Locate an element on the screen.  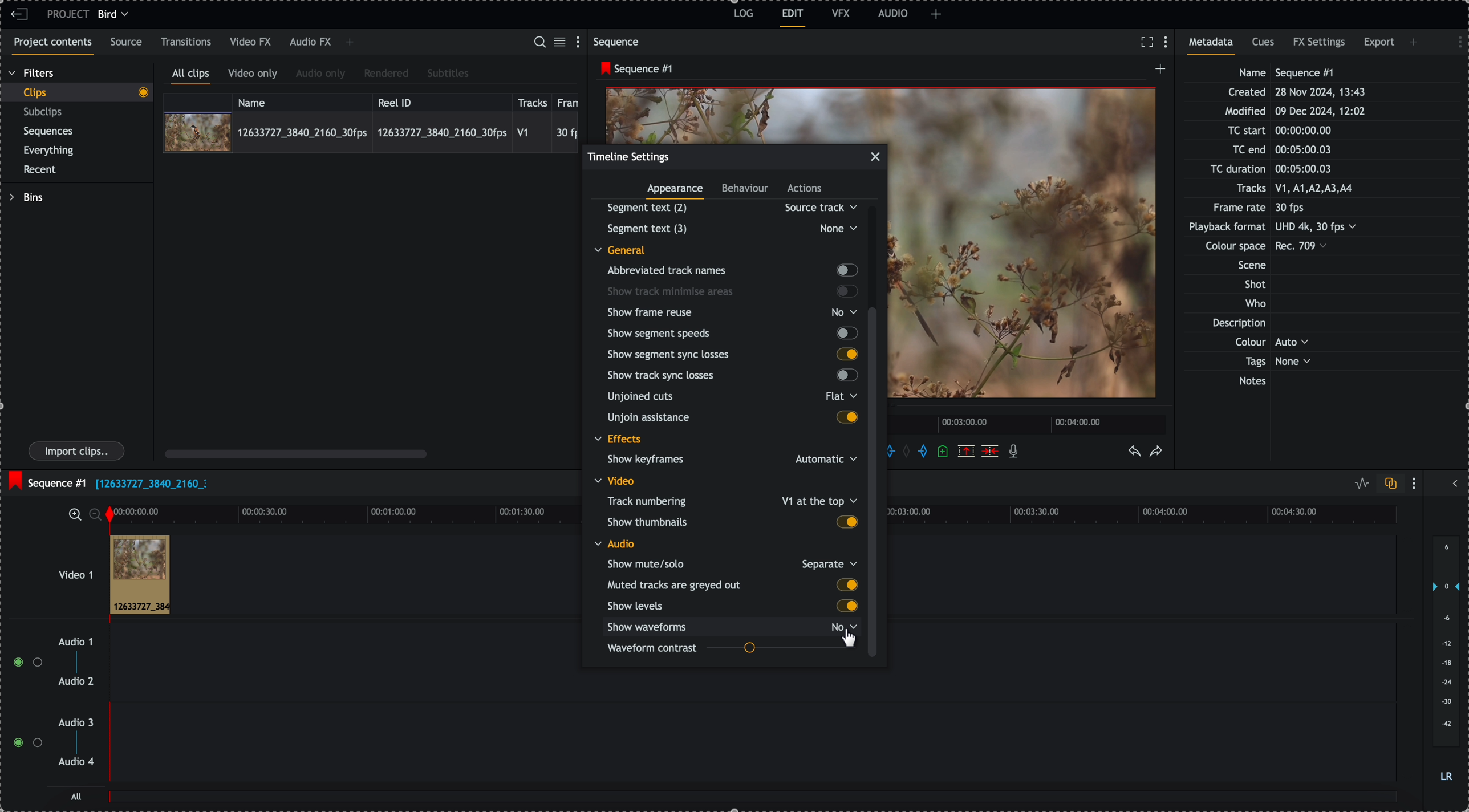
frame is located at coordinates (570, 101).